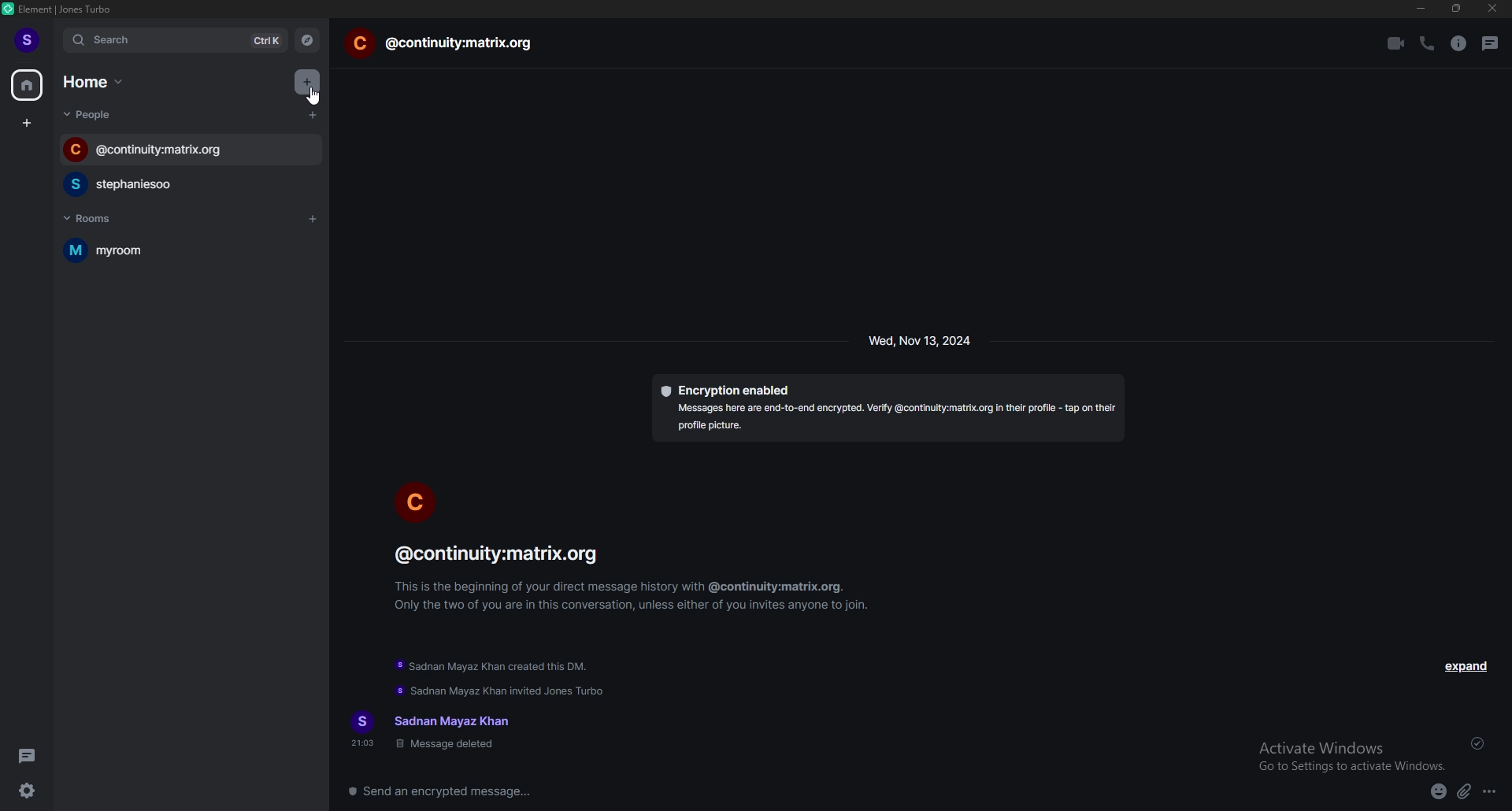 This screenshot has height=811, width=1512. I want to click on quick settings, so click(28, 790).